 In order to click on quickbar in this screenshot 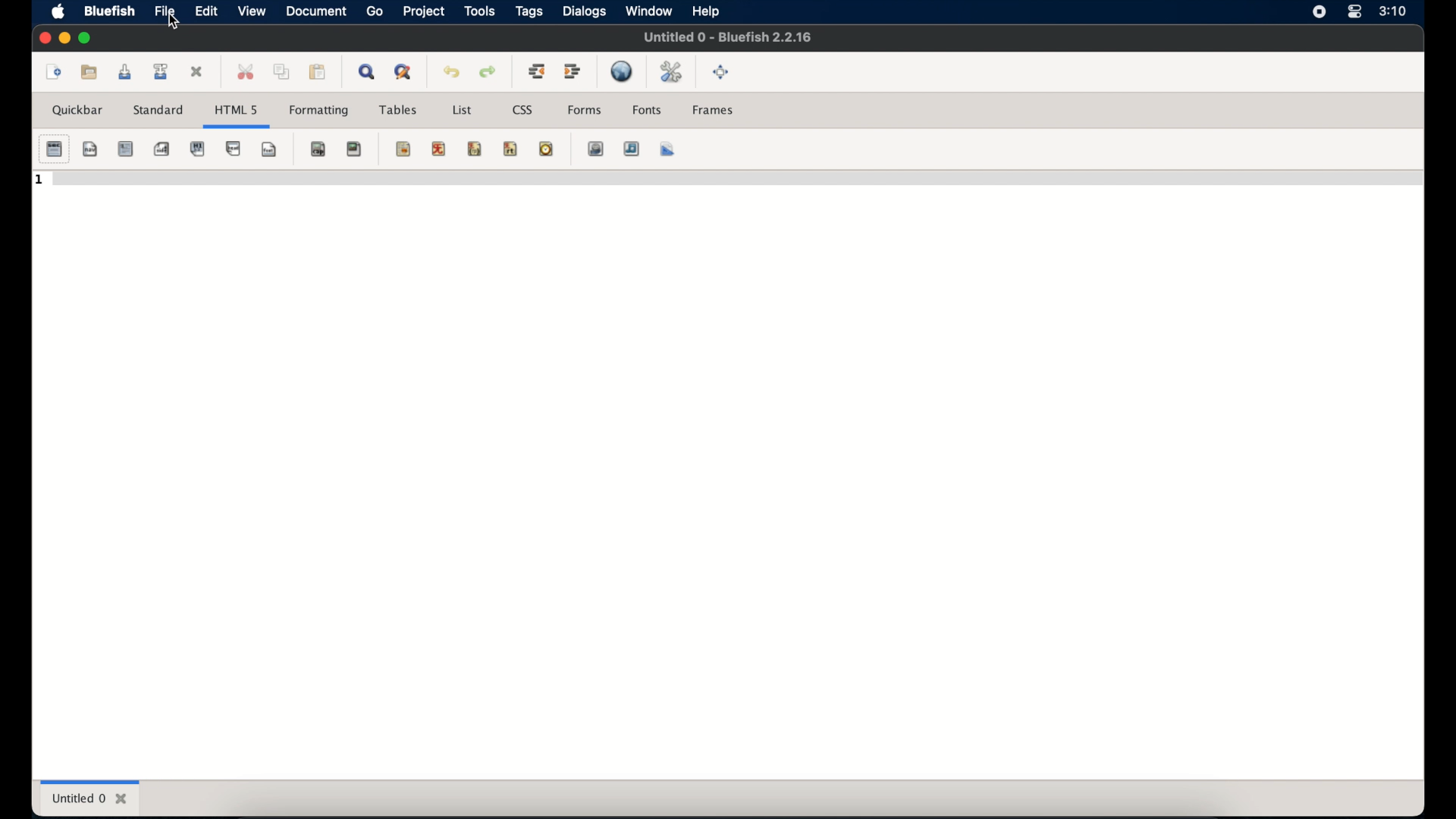, I will do `click(79, 110)`.